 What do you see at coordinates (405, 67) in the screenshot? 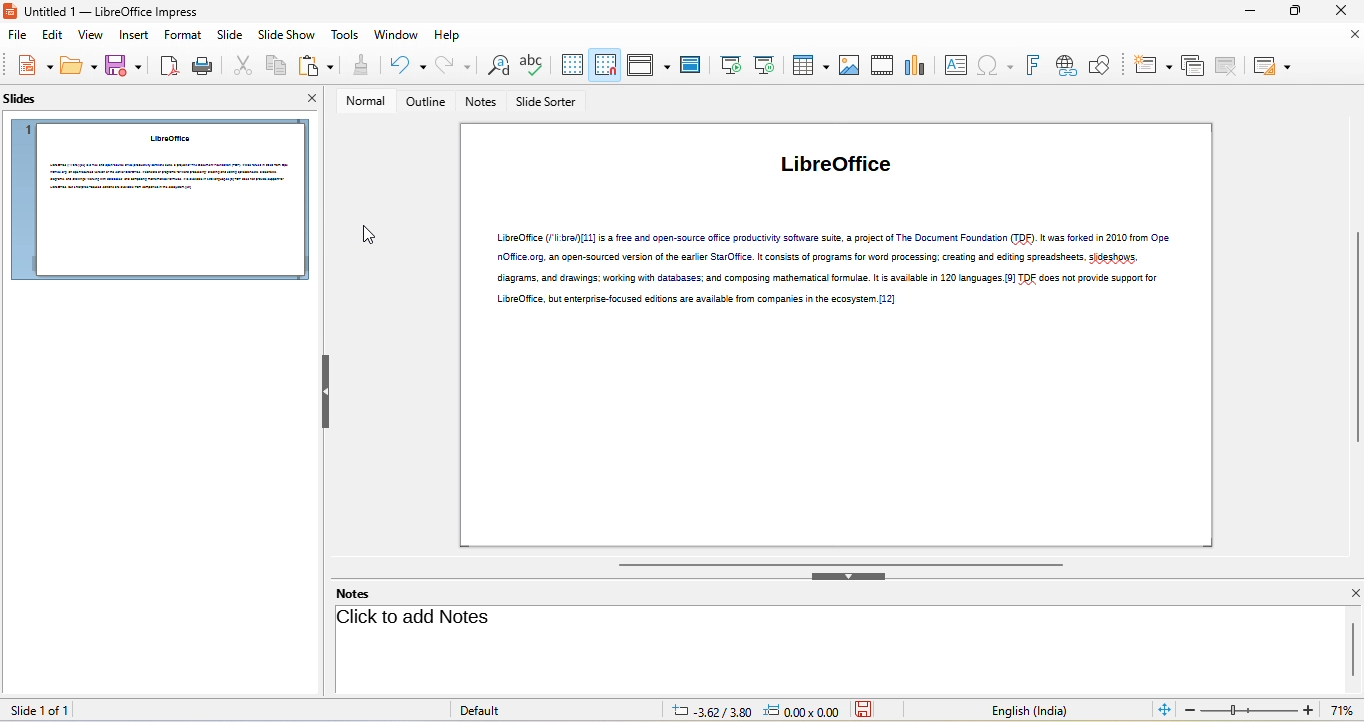
I see `undo` at bounding box center [405, 67].